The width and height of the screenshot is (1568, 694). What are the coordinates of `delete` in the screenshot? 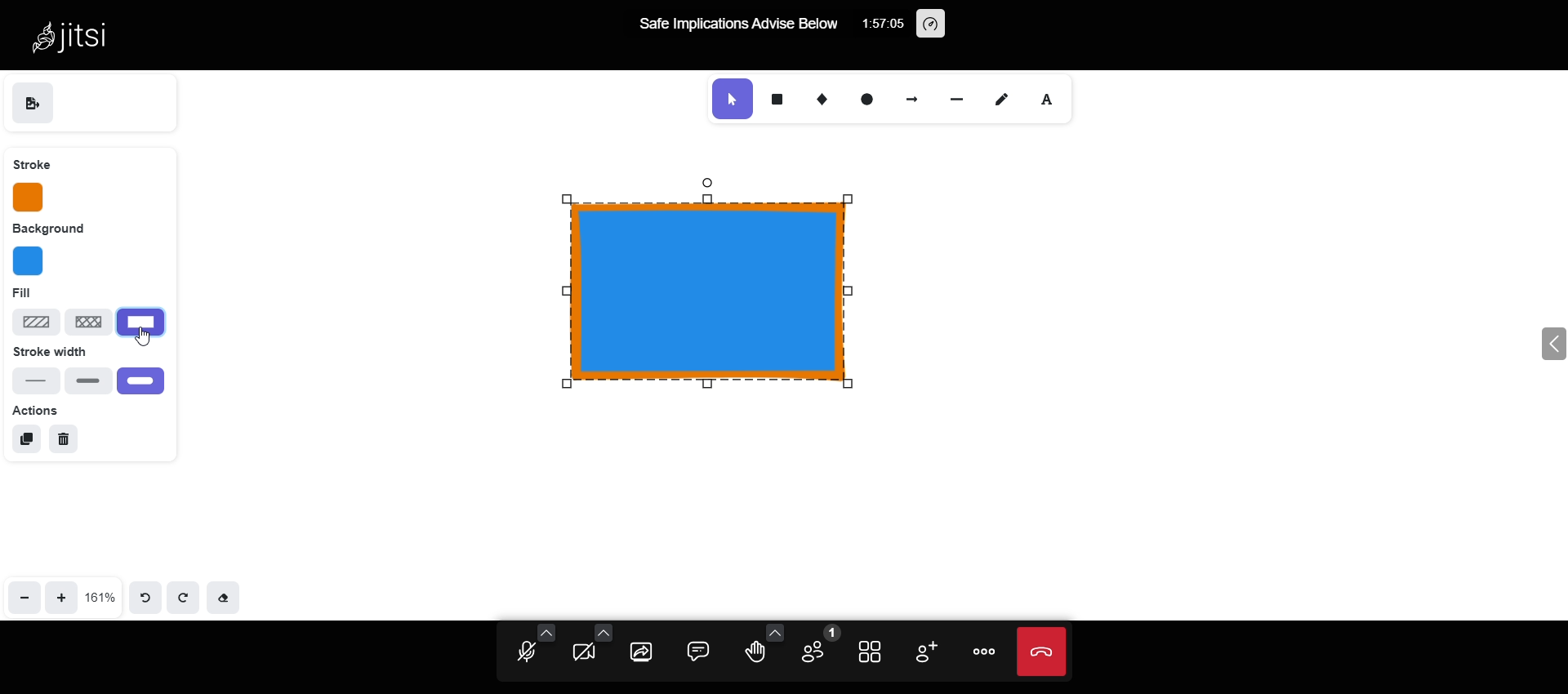 It's located at (71, 439).